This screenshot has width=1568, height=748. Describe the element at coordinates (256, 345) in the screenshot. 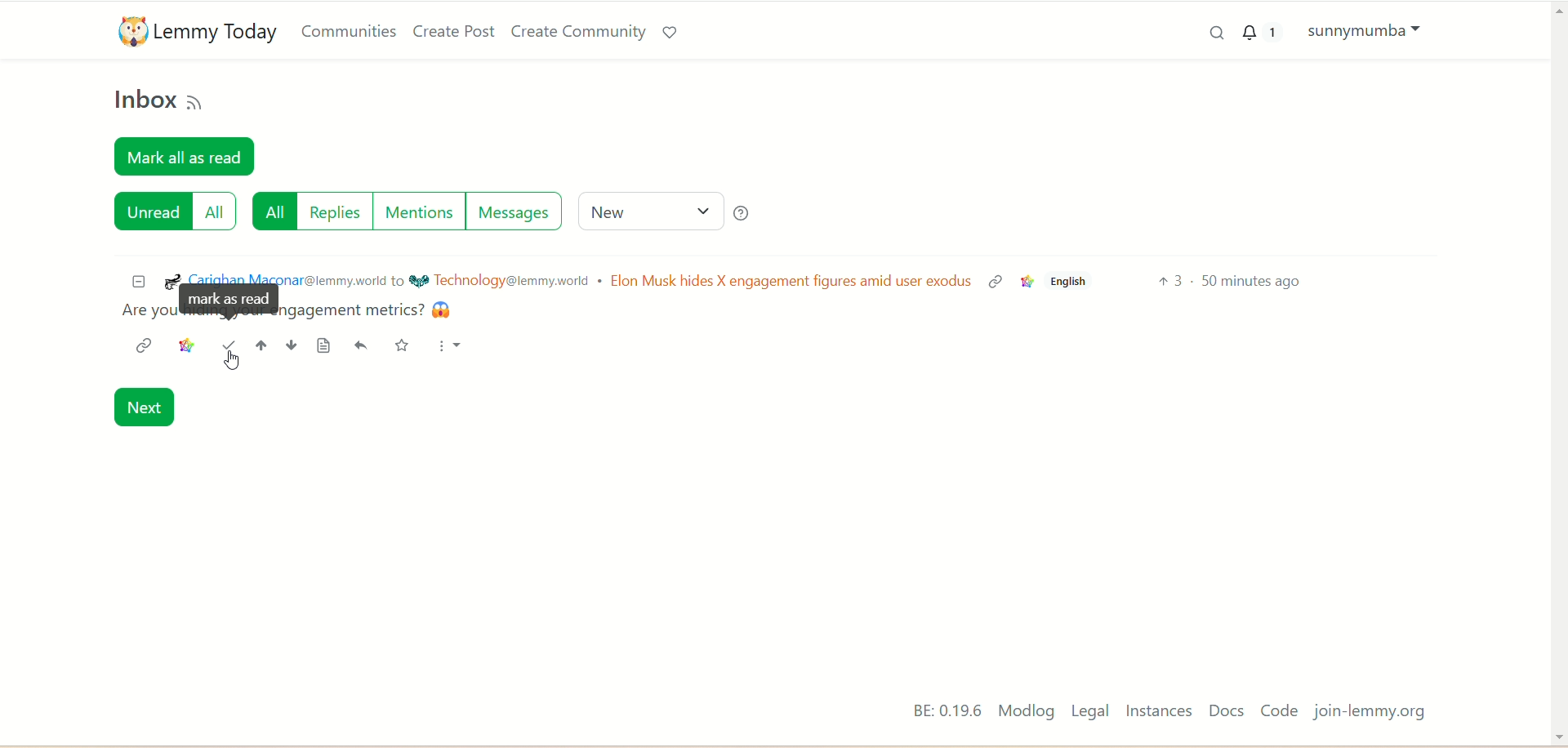

I see `upvote` at that location.